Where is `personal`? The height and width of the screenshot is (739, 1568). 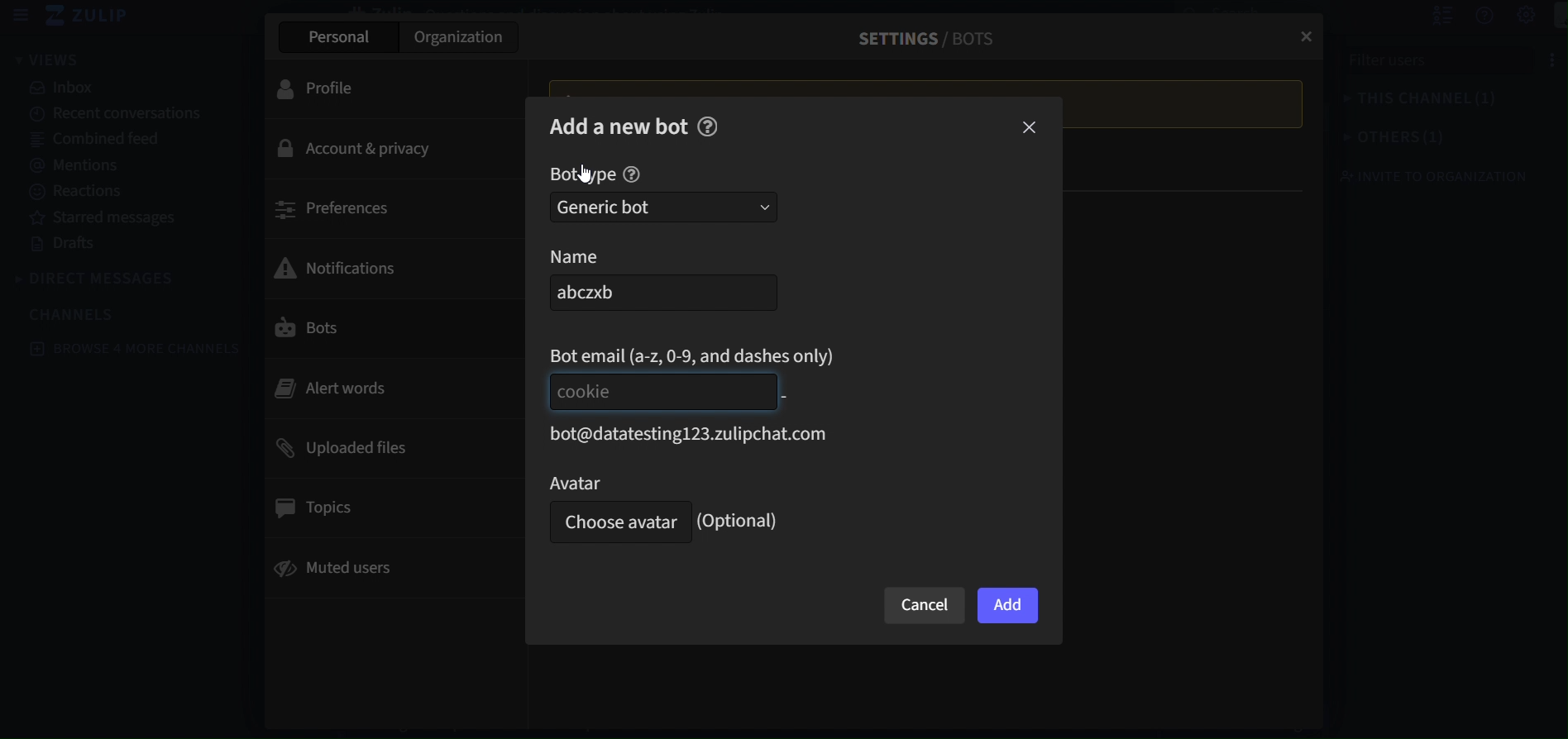
personal is located at coordinates (336, 37).